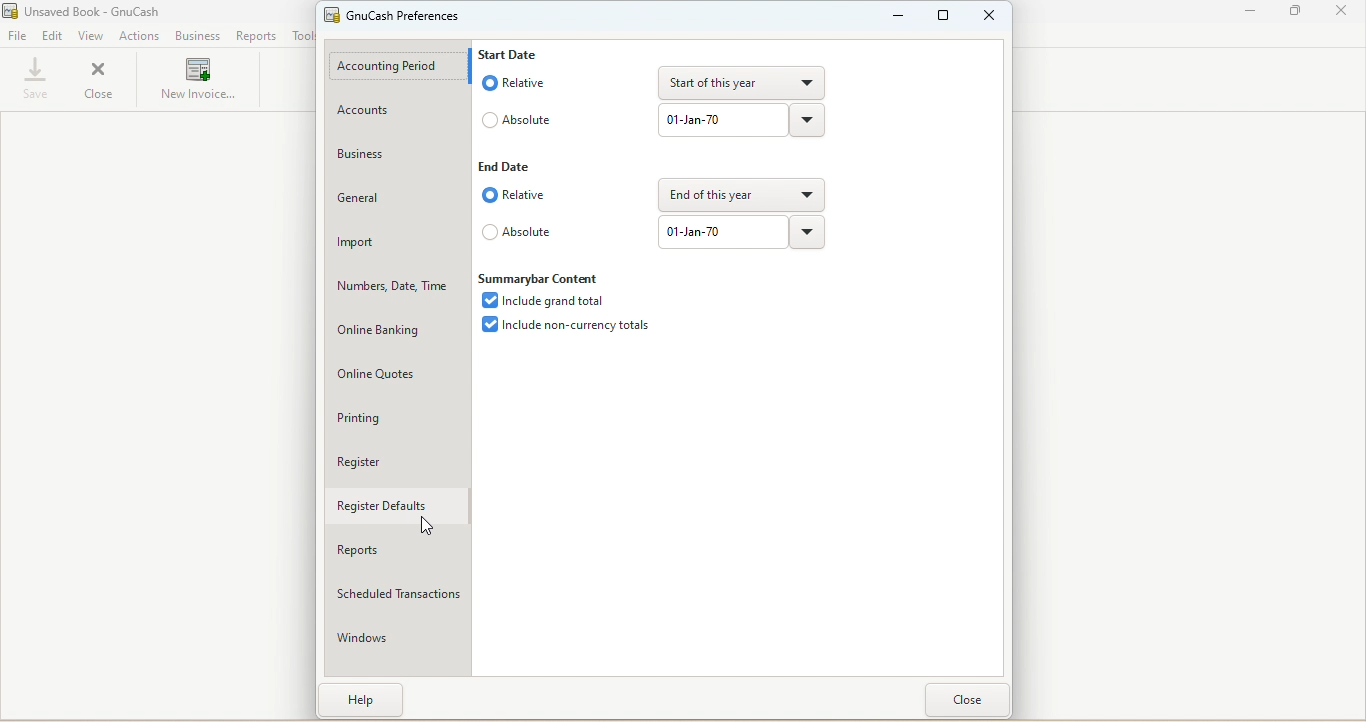 The height and width of the screenshot is (722, 1366). What do you see at coordinates (403, 109) in the screenshot?
I see `Accounts` at bounding box center [403, 109].